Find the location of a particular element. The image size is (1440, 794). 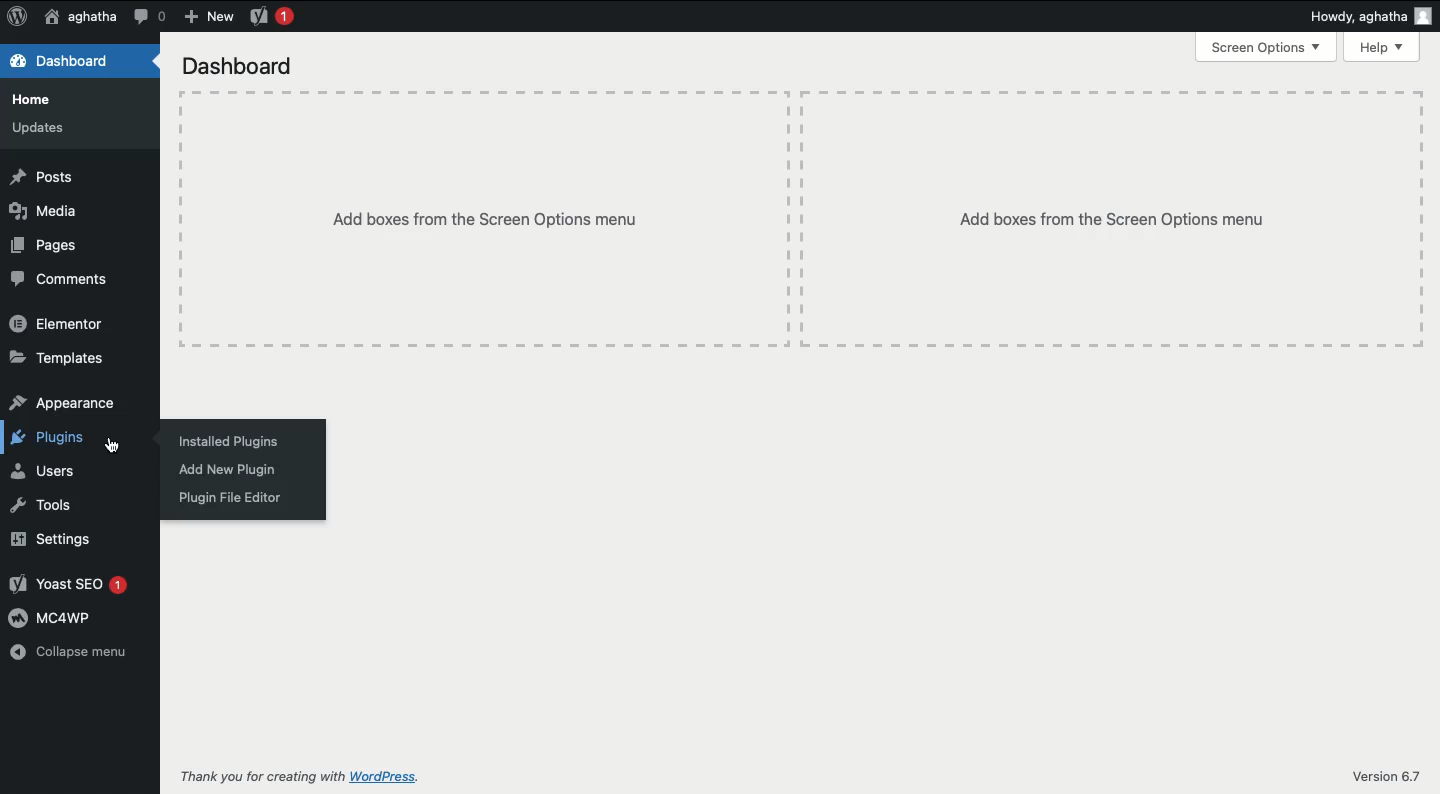

MC4WP is located at coordinates (55, 619).